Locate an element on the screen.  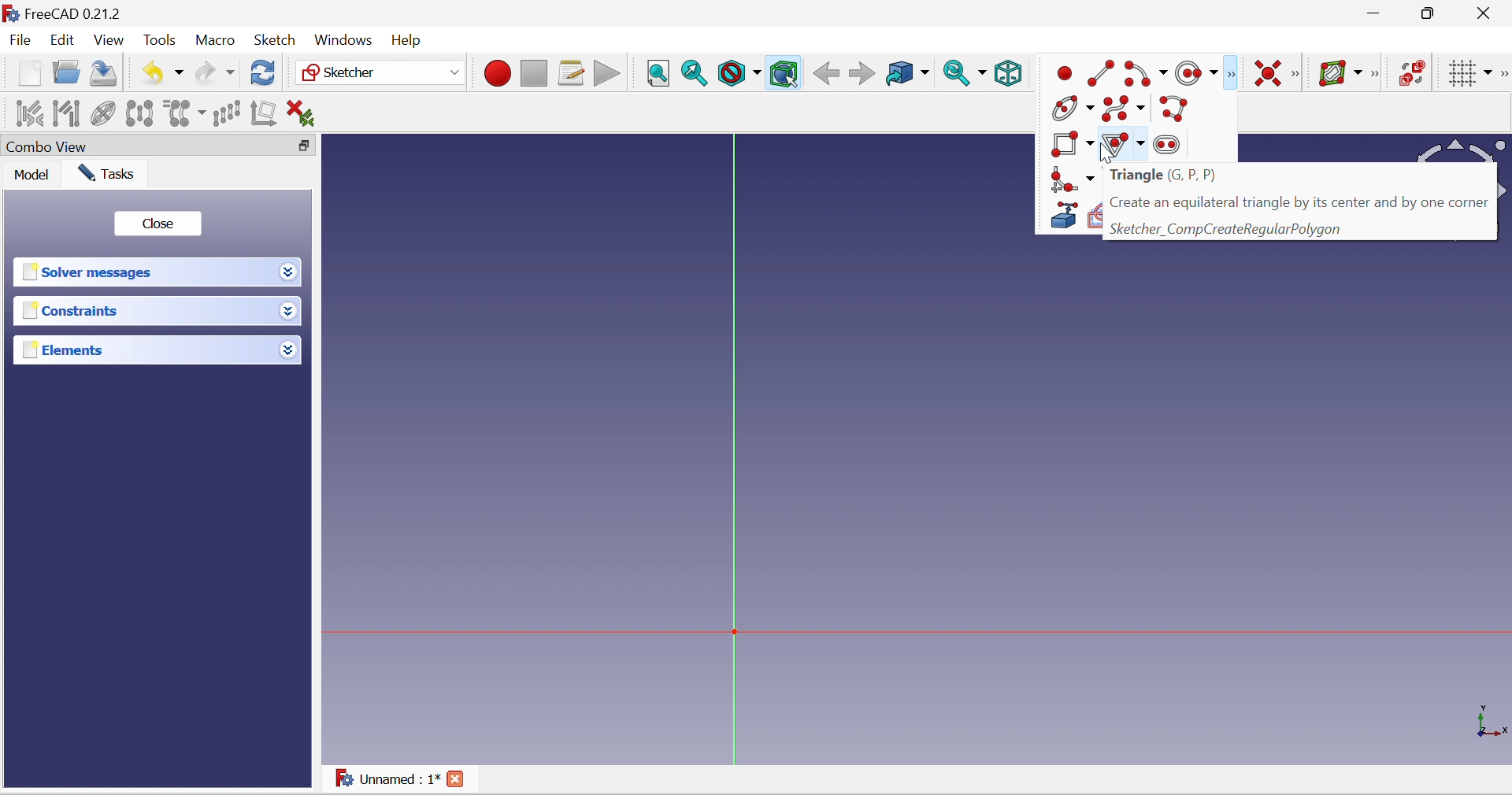
Macro recording is located at coordinates (496, 72).